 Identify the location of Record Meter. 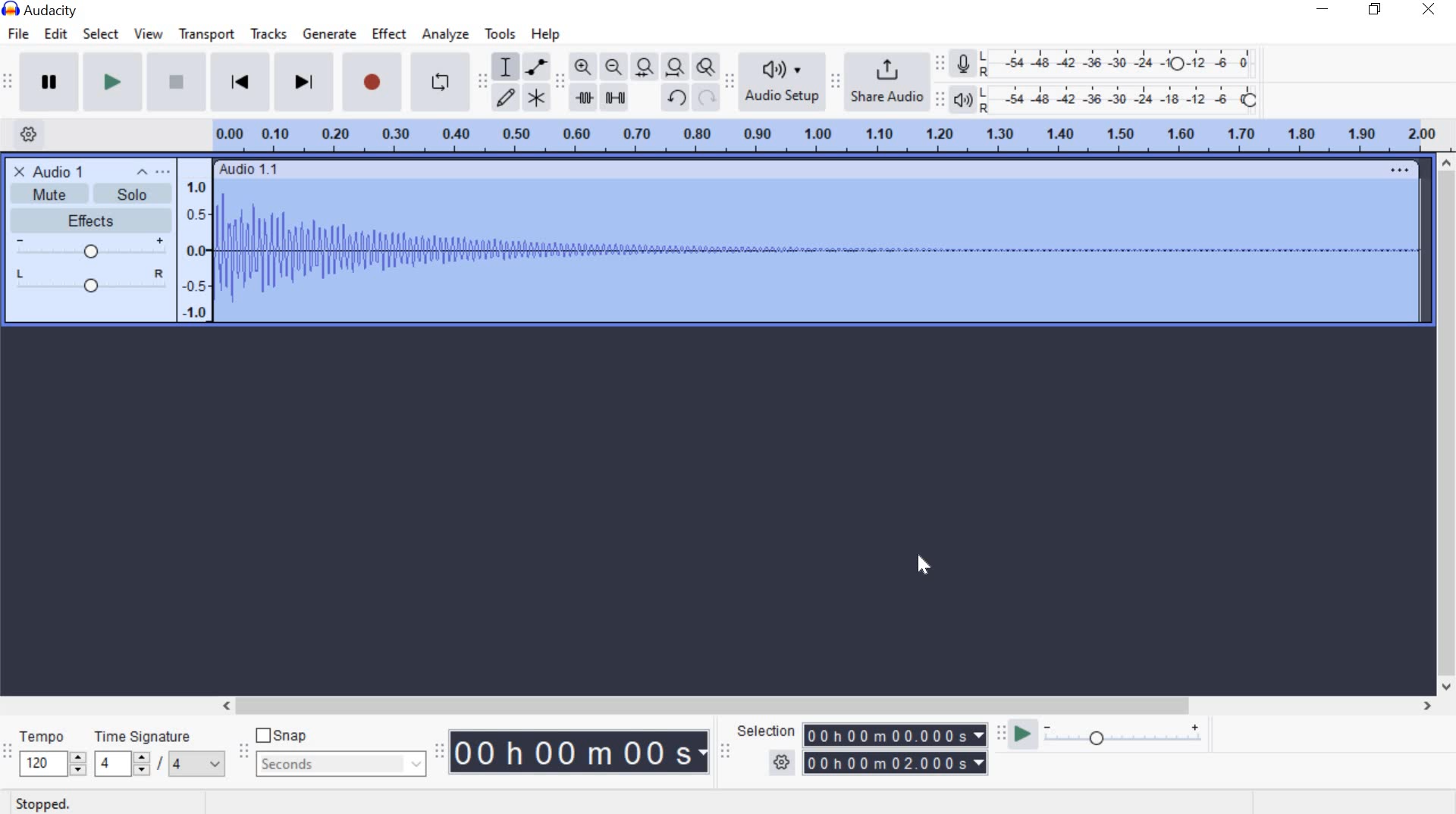
(964, 65).